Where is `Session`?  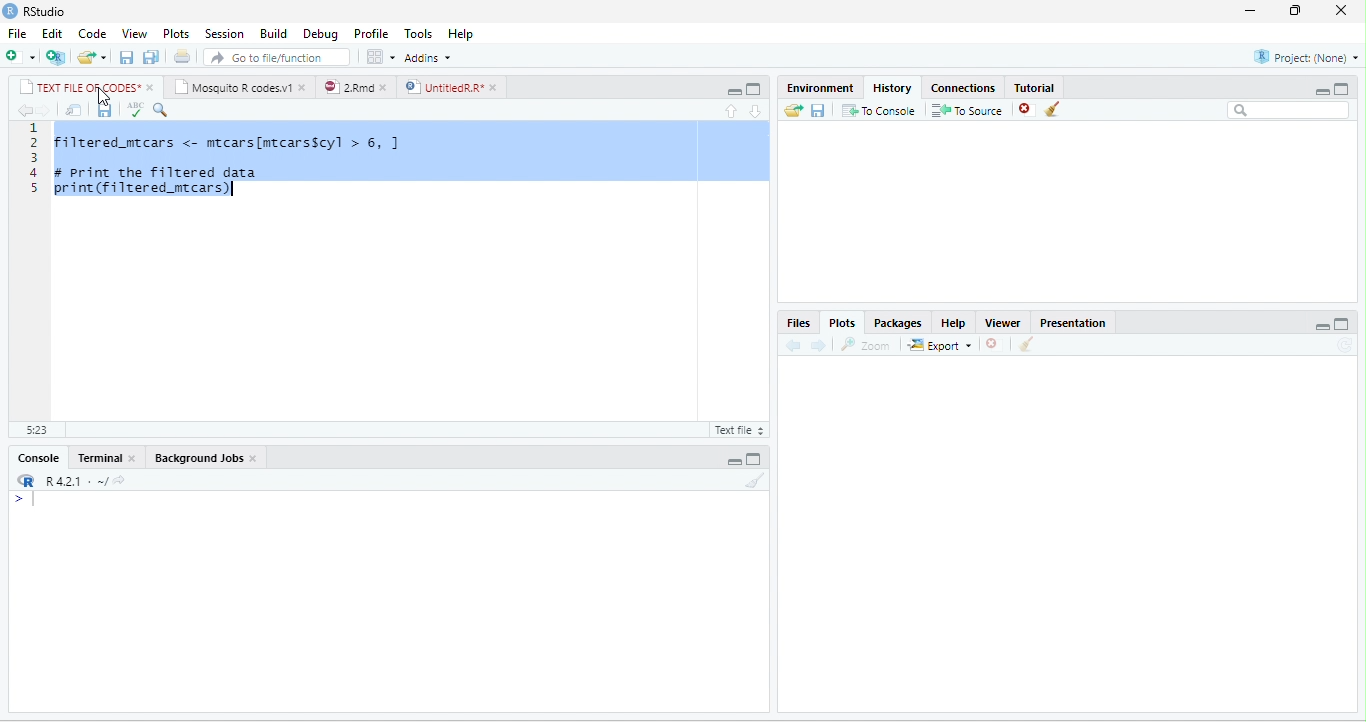
Session is located at coordinates (225, 33).